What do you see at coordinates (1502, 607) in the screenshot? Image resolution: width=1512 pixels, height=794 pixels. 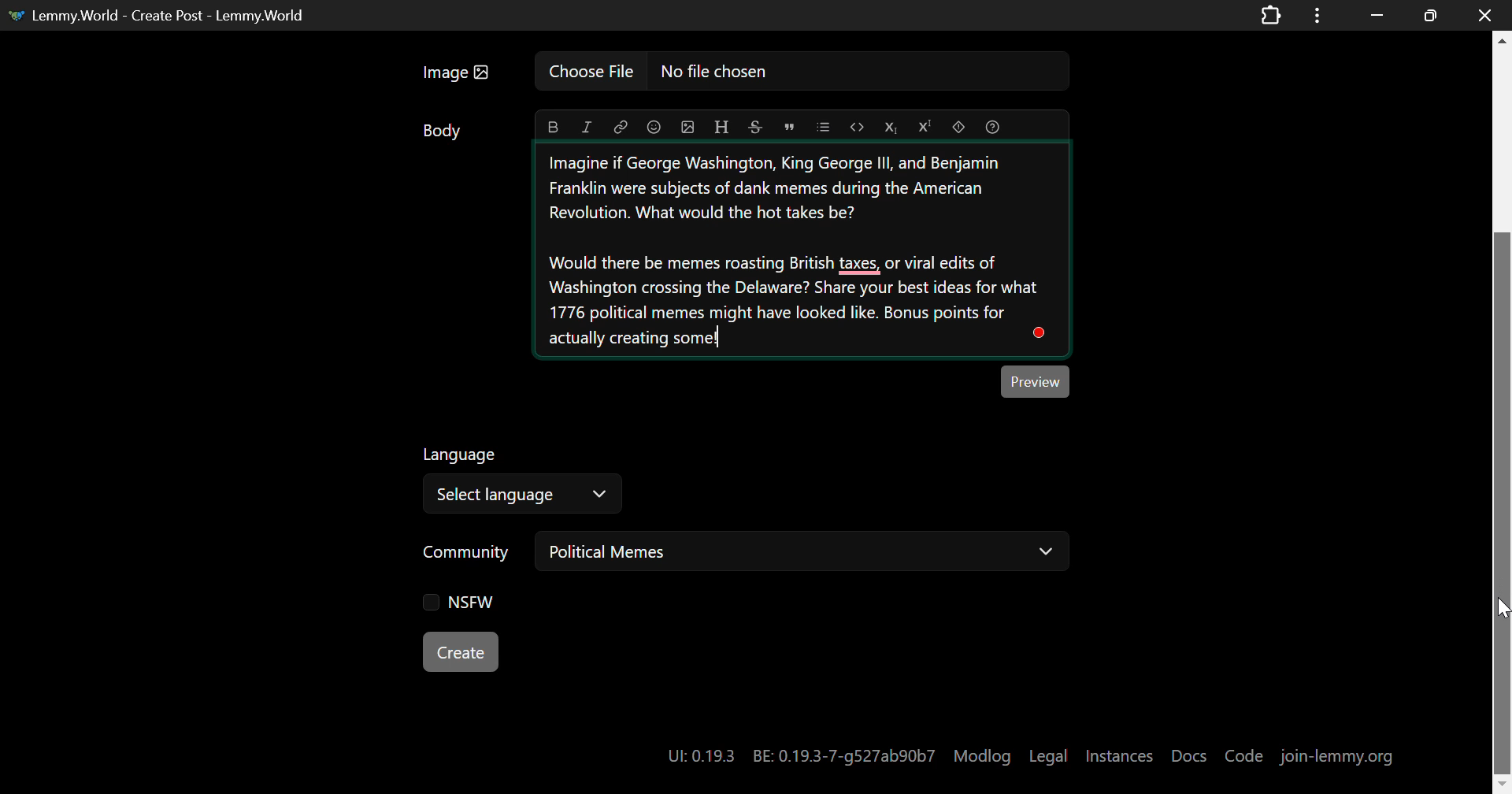 I see `DRAG_TO Cursor Position` at bounding box center [1502, 607].